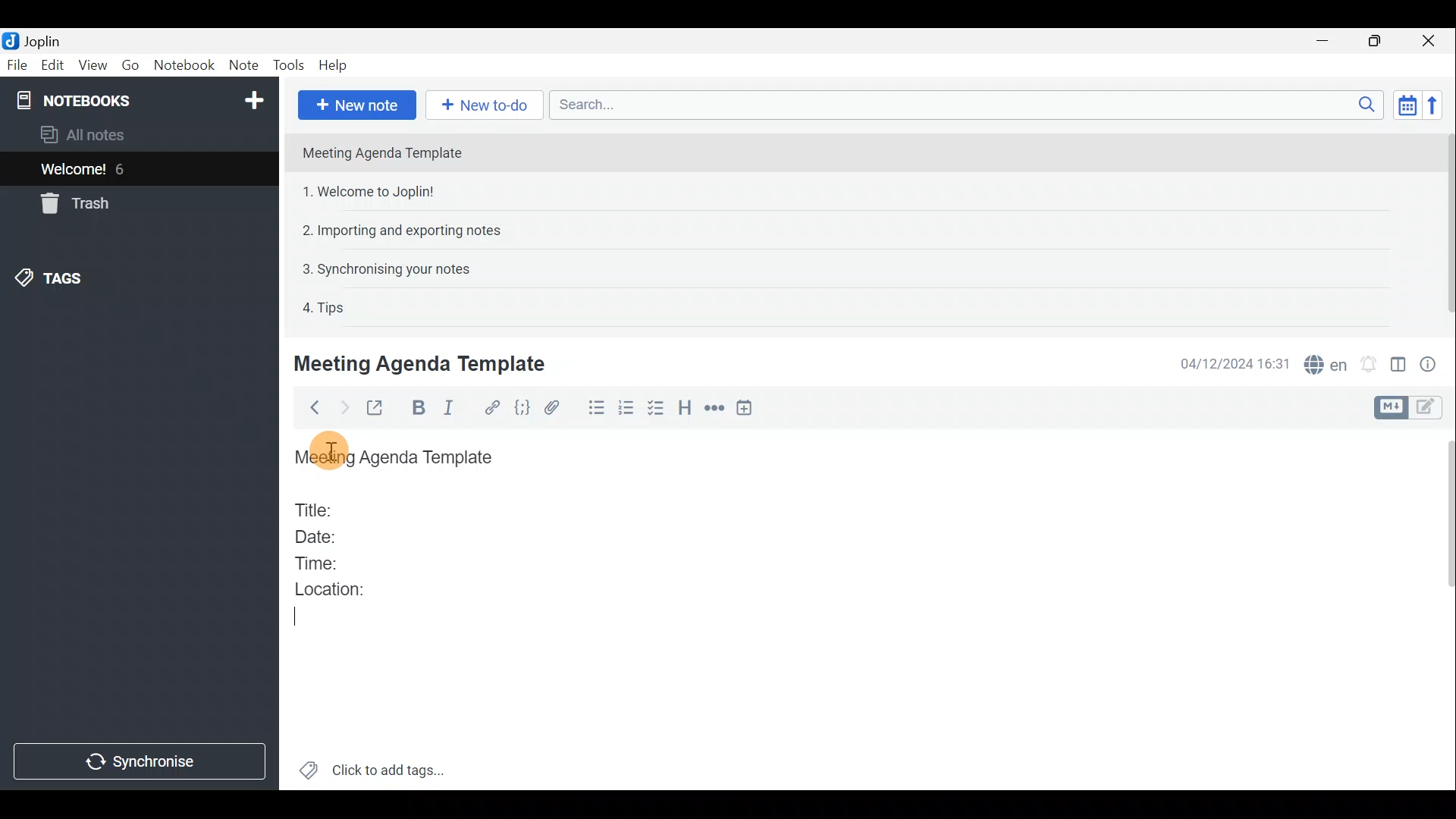  Describe the element at coordinates (480, 105) in the screenshot. I see `New to-do` at that location.